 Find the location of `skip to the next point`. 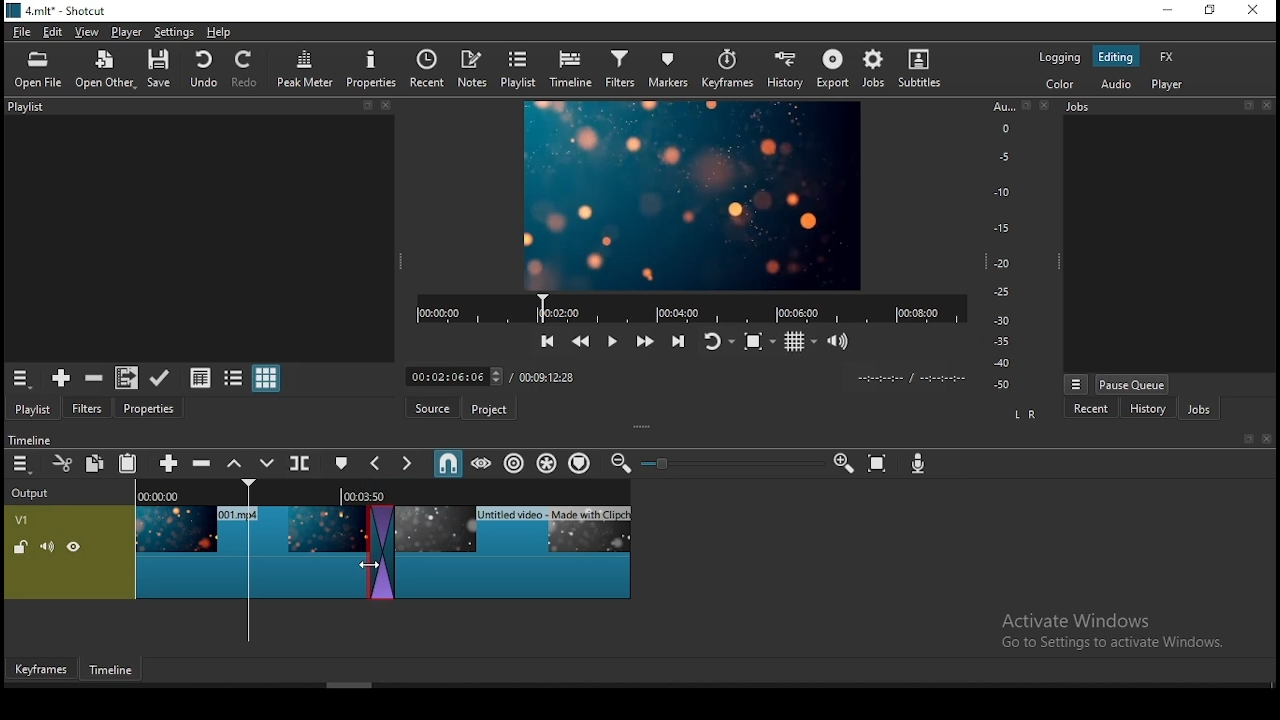

skip to the next point is located at coordinates (679, 342).